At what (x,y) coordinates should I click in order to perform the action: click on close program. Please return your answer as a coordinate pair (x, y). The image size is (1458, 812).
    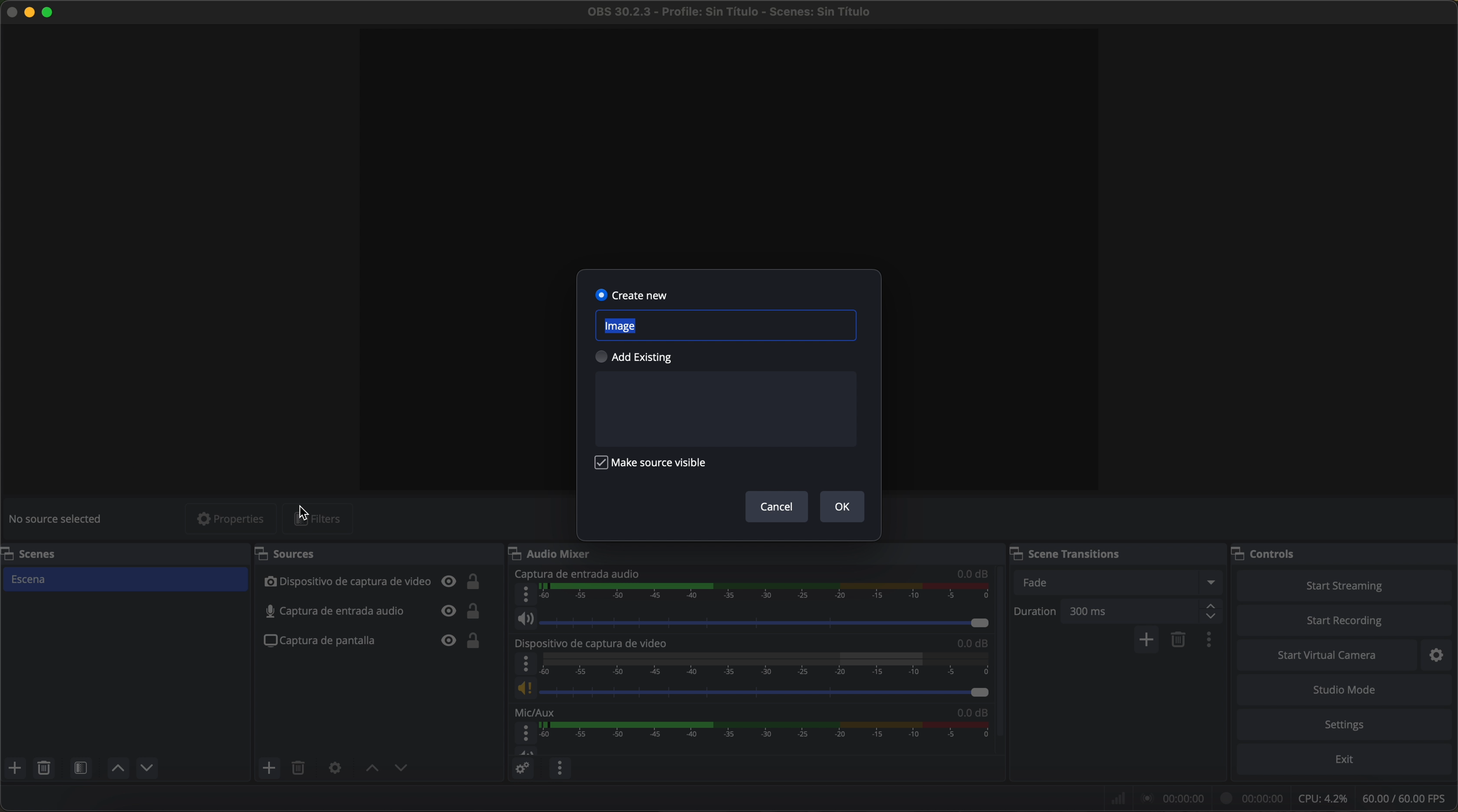
    Looking at the image, I should click on (10, 11).